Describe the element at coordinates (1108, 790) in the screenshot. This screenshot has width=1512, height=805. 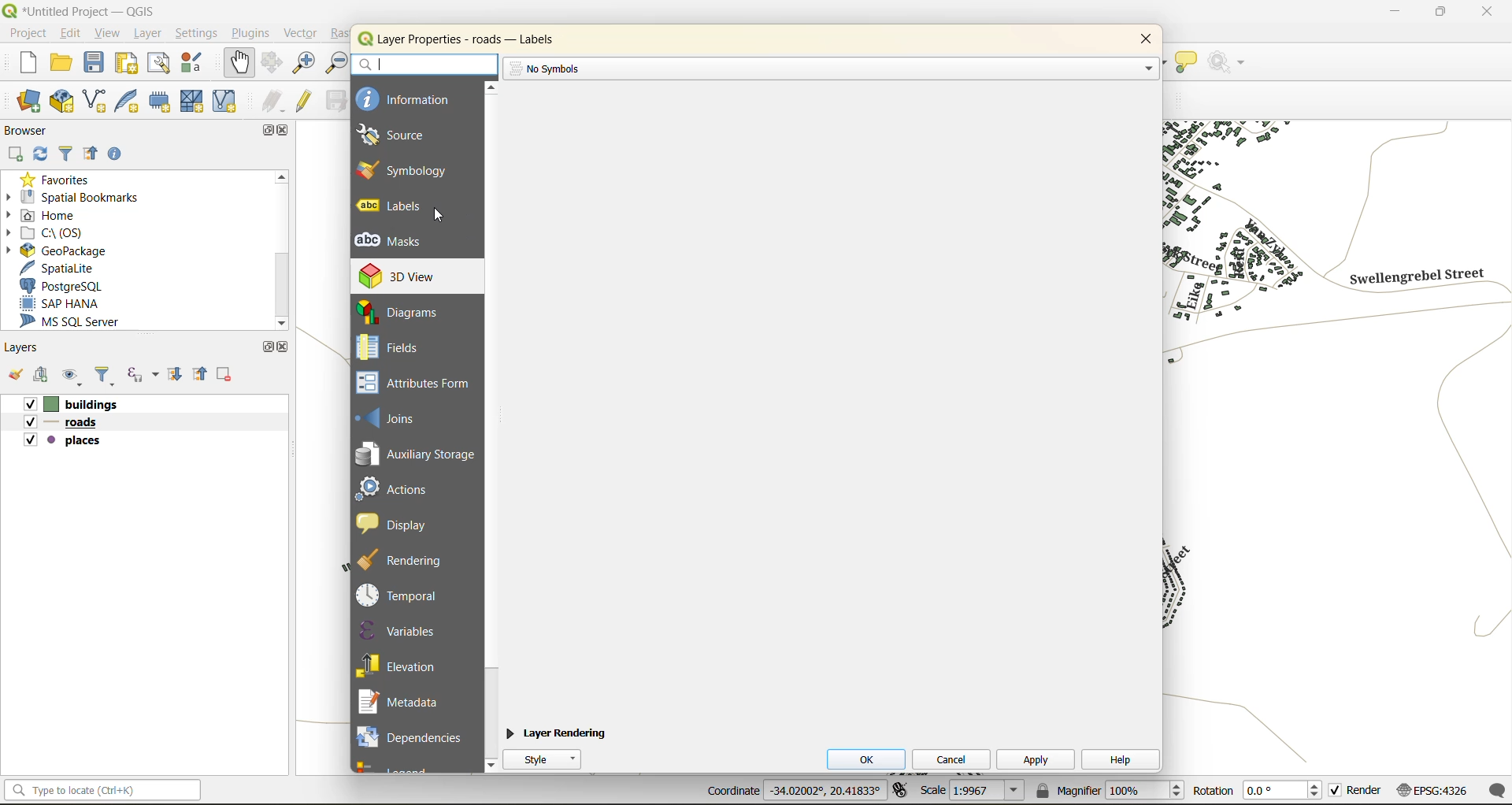
I see `magnifier` at that location.